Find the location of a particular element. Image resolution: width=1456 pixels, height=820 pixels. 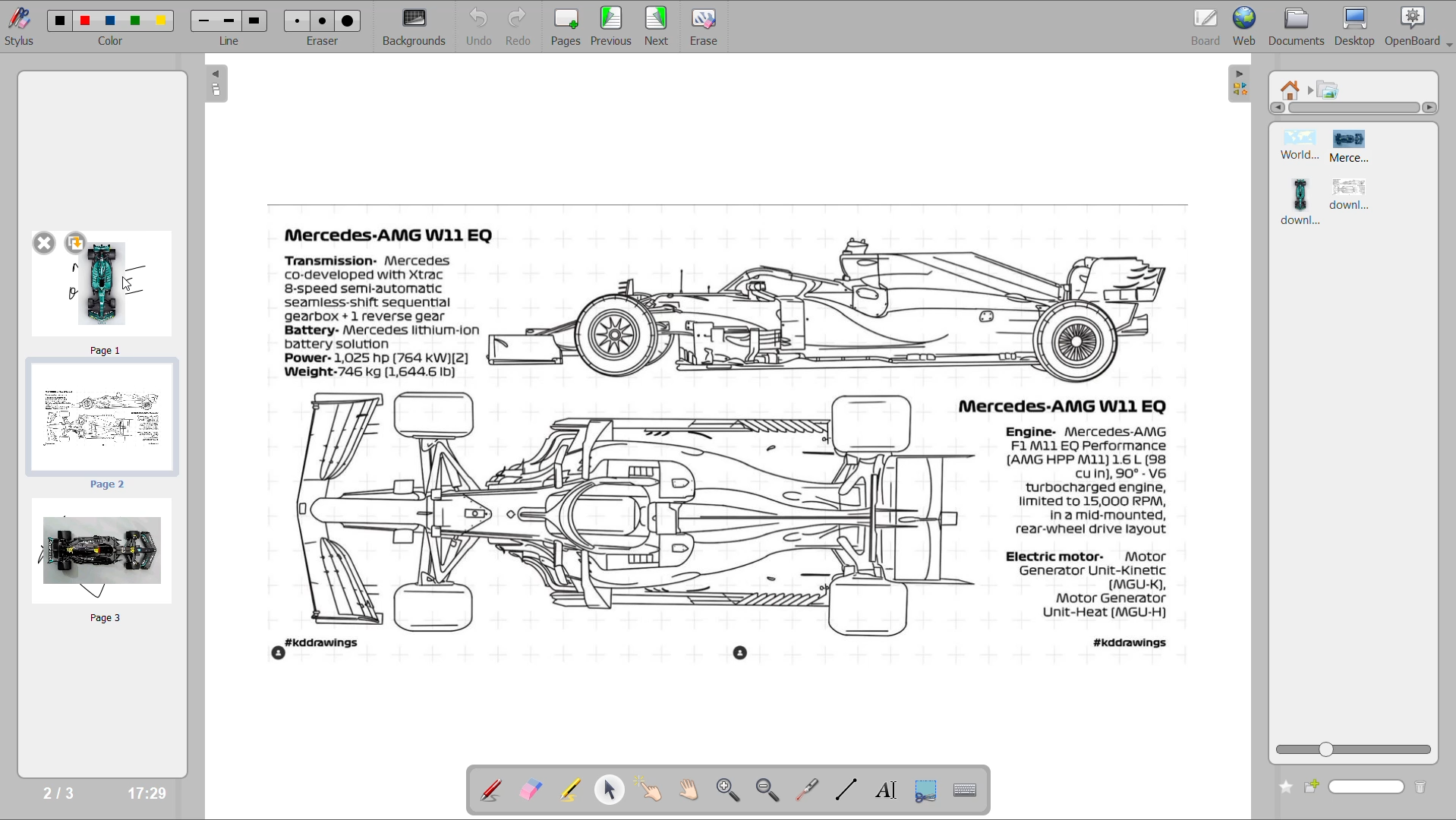

Mercedes-AMG W11 EQ is located at coordinates (1072, 402).